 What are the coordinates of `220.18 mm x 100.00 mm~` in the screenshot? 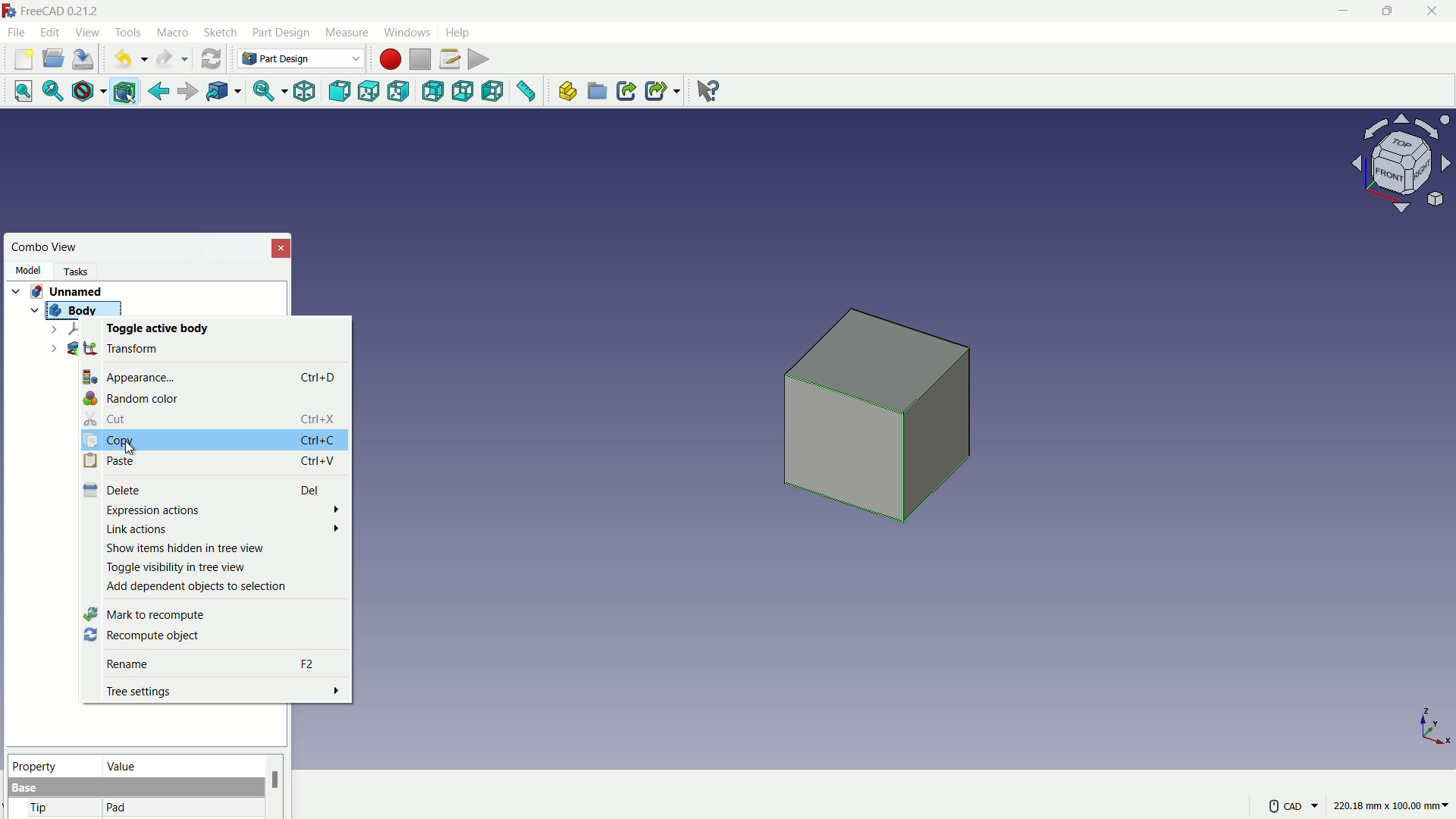 It's located at (1391, 805).